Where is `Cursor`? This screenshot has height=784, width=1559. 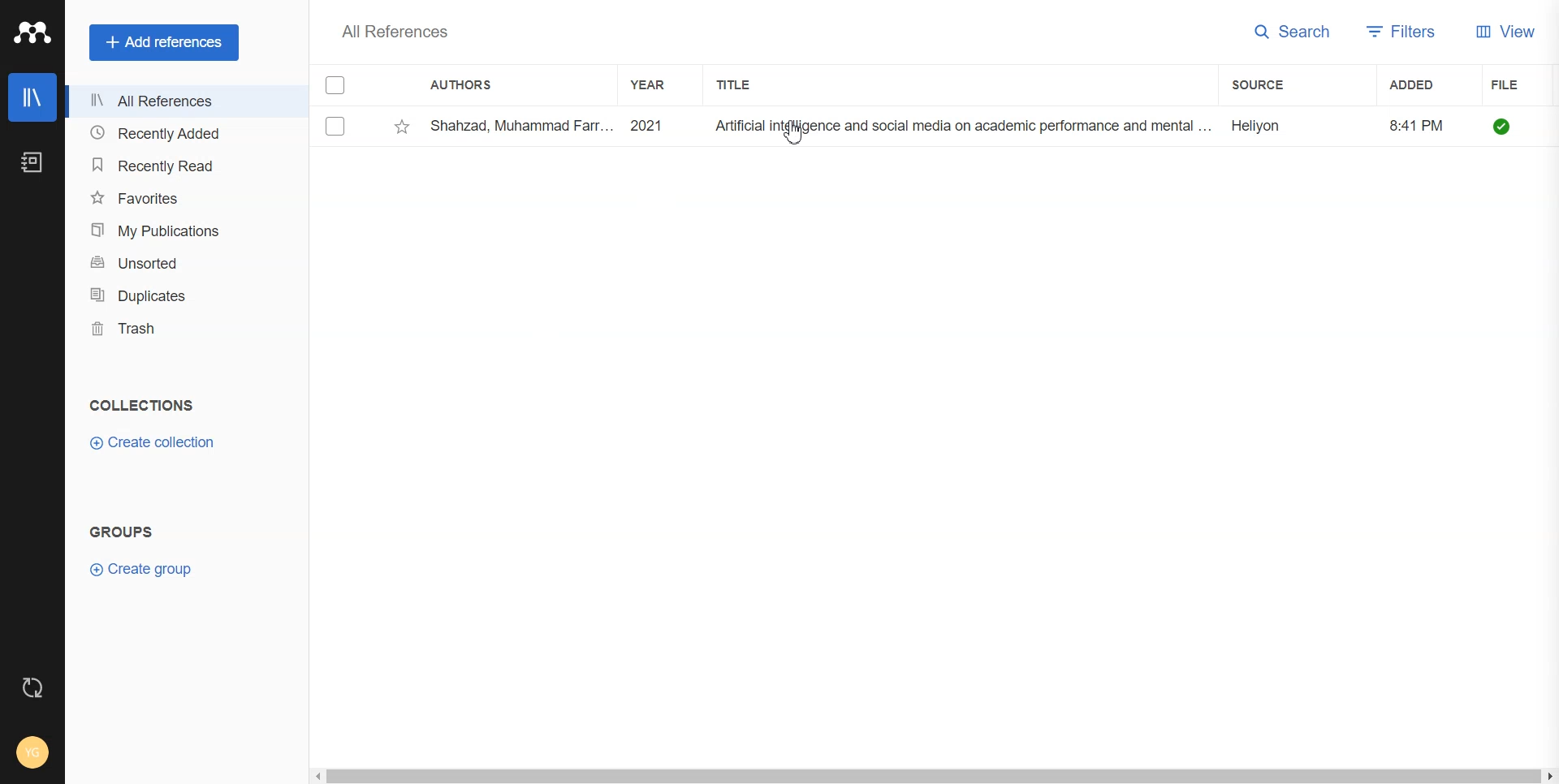 Cursor is located at coordinates (795, 131).